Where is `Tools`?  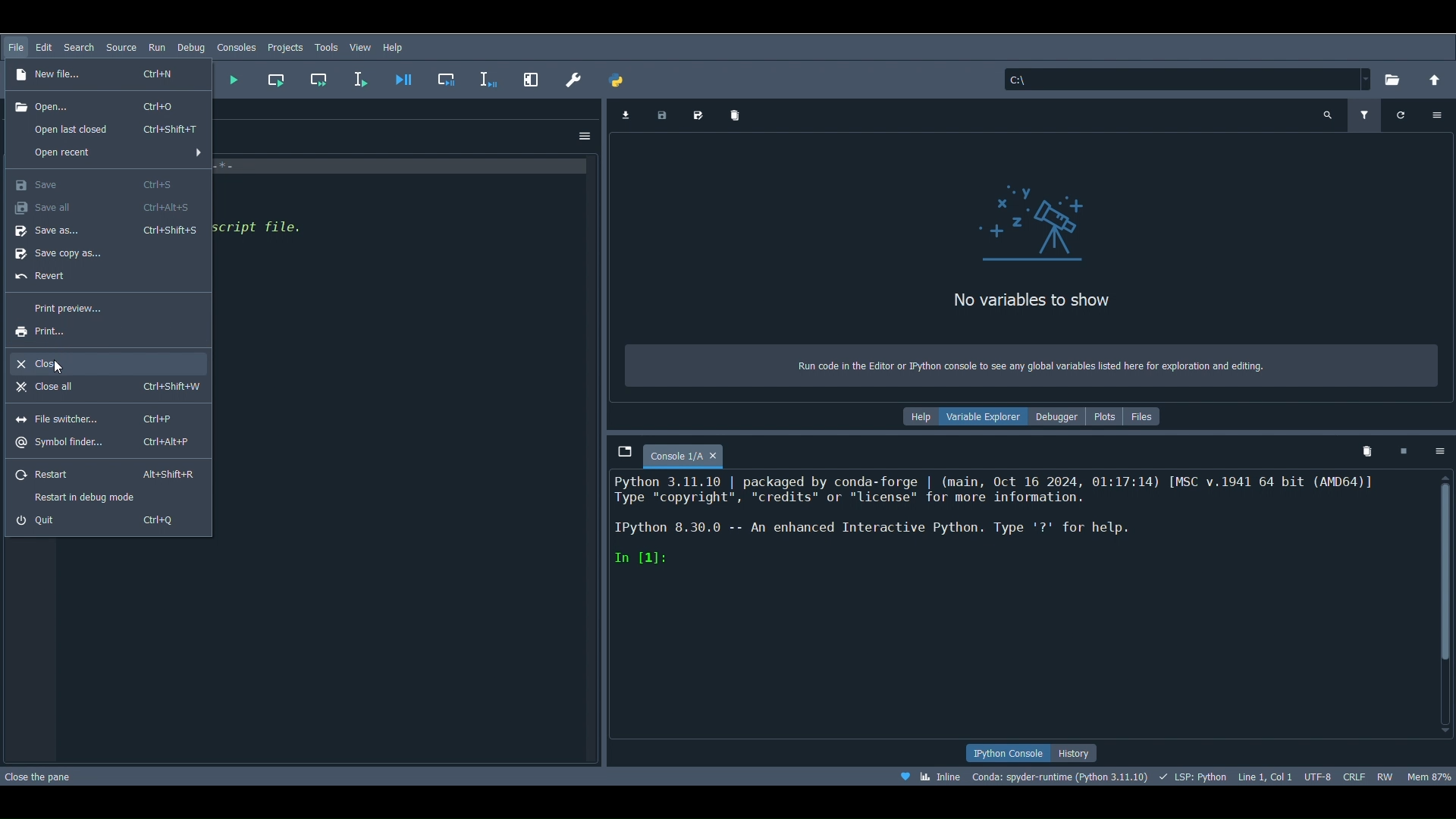 Tools is located at coordinates (326, 47).